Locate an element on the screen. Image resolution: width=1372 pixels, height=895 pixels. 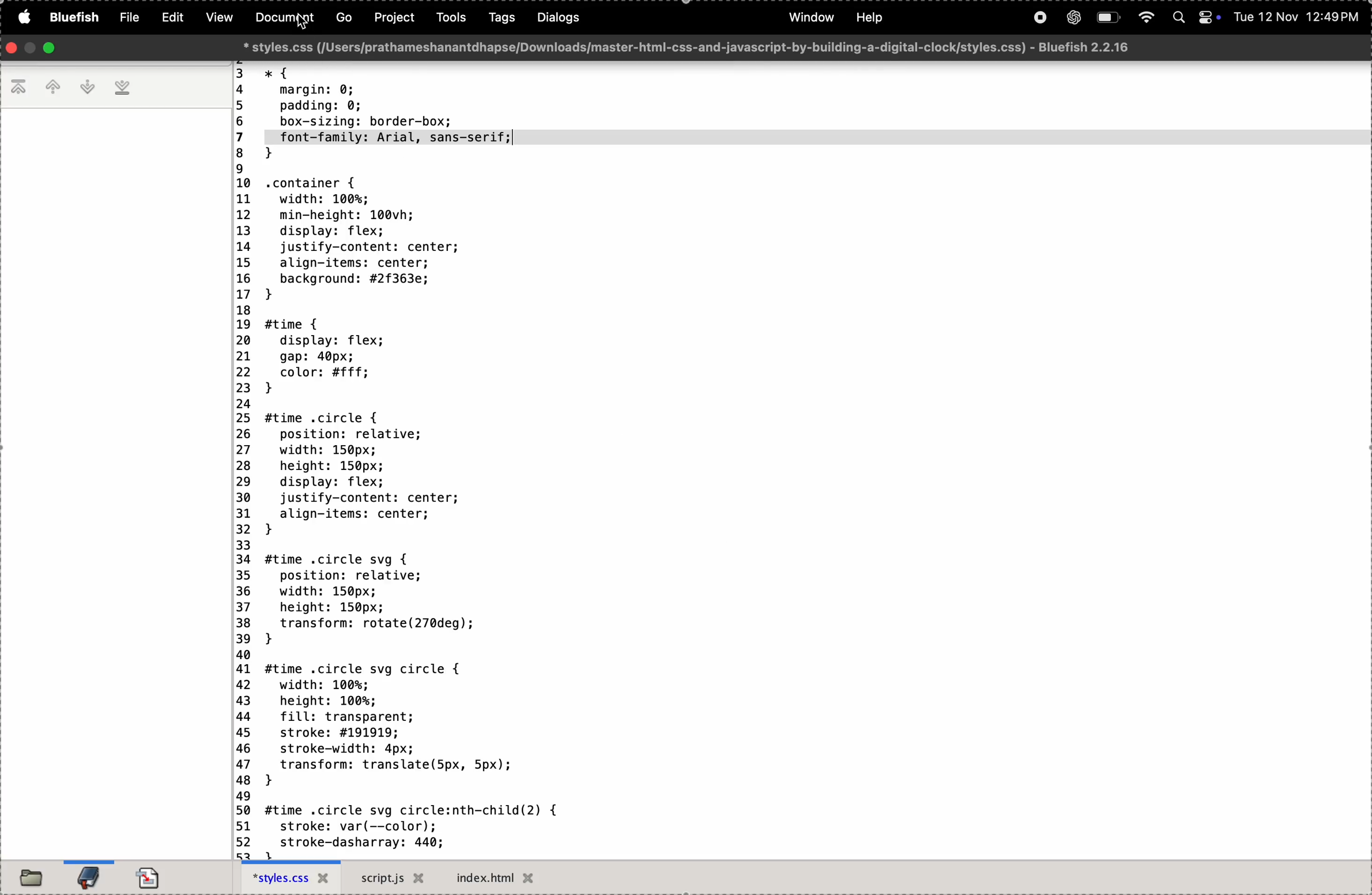
open doc is located at coordinates (153, 874).